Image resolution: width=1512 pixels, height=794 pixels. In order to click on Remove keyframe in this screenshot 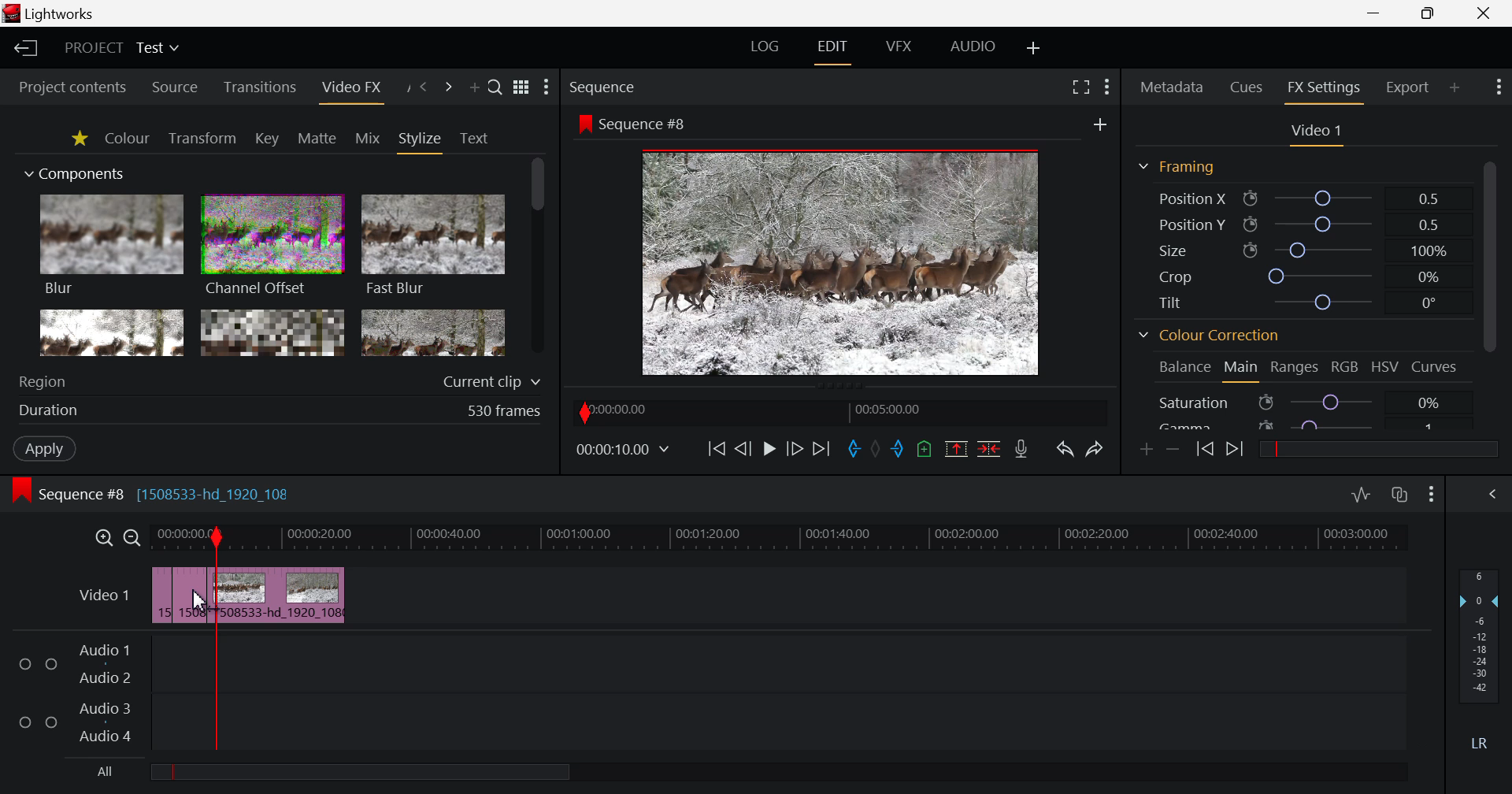, I will do `click(1173, 449)`.